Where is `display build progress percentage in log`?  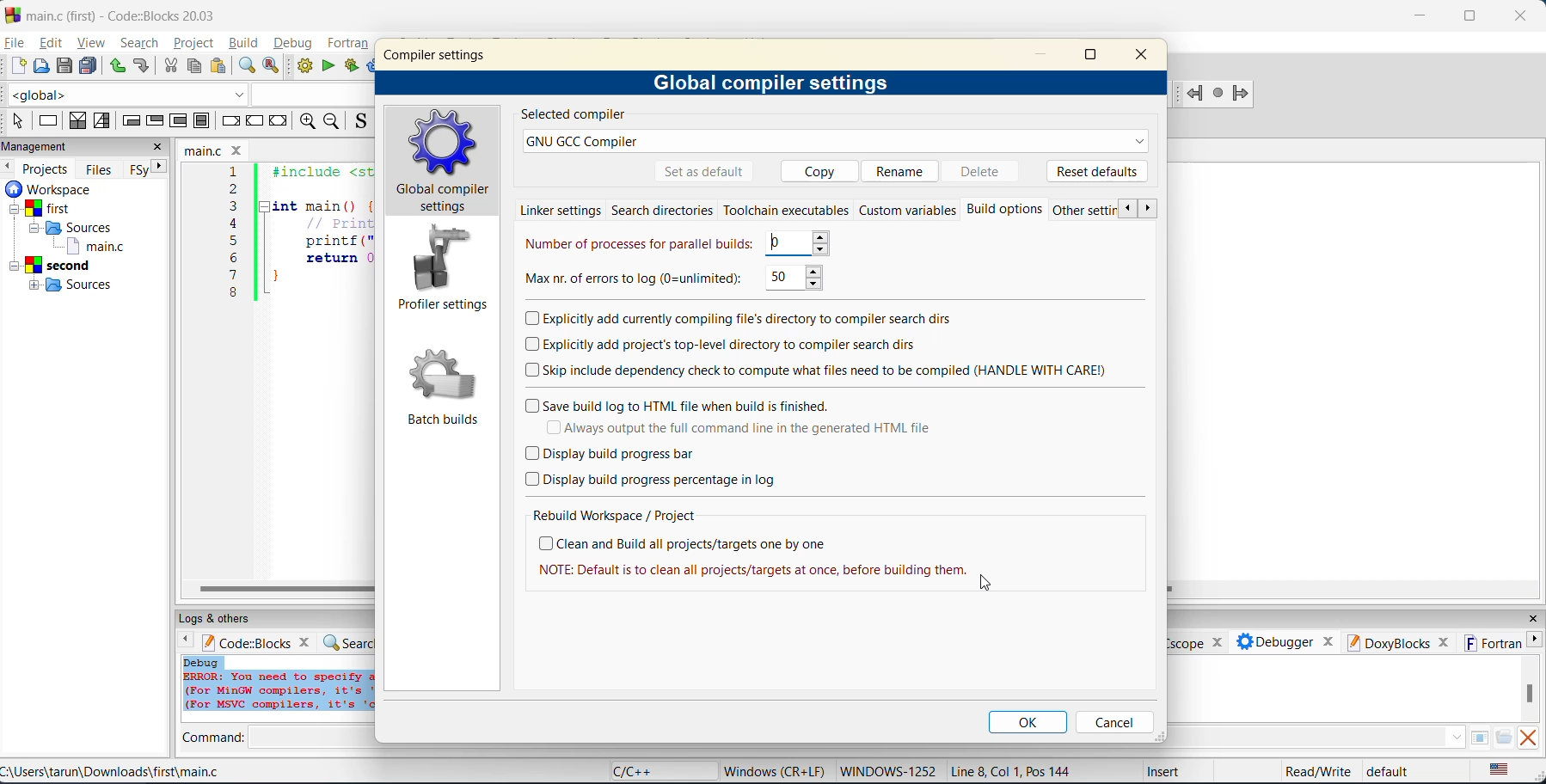
display build progress percentage in log is located at coordinates (655, 480).